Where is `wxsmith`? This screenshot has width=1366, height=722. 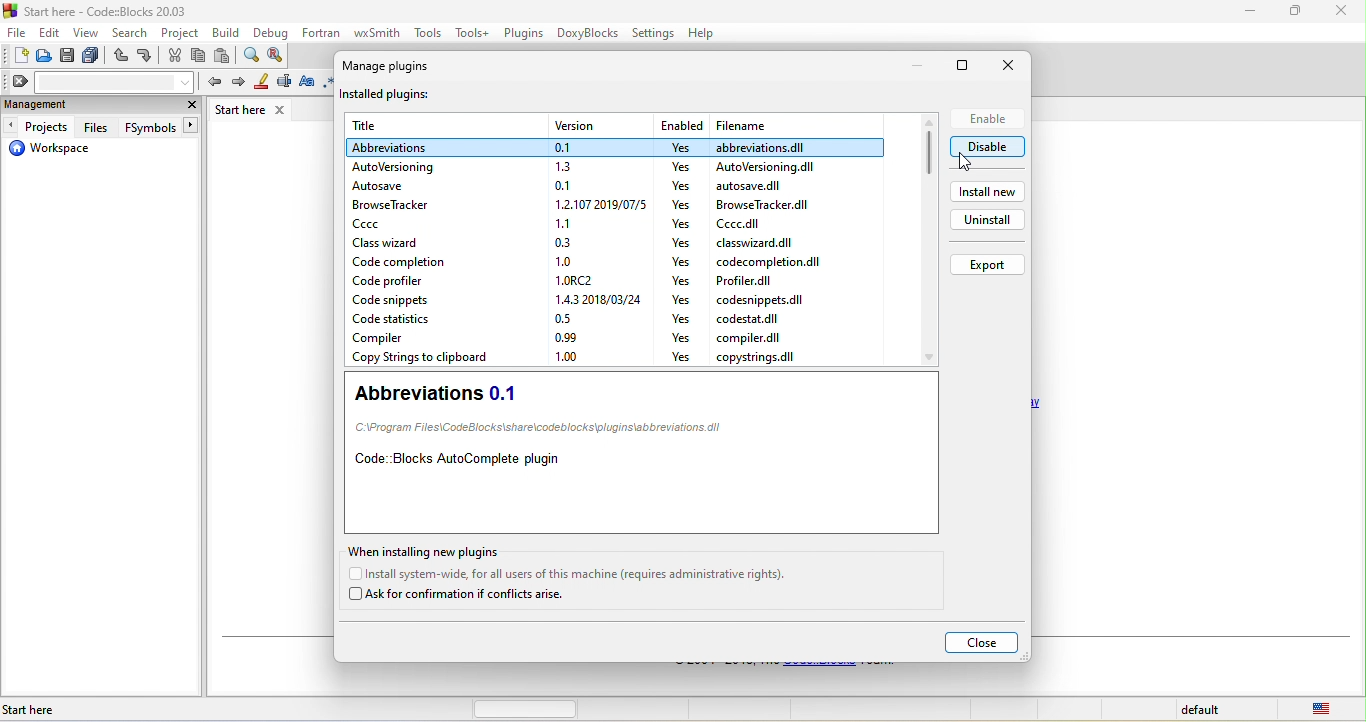
wxsmith is located at coordinates (380, 31).